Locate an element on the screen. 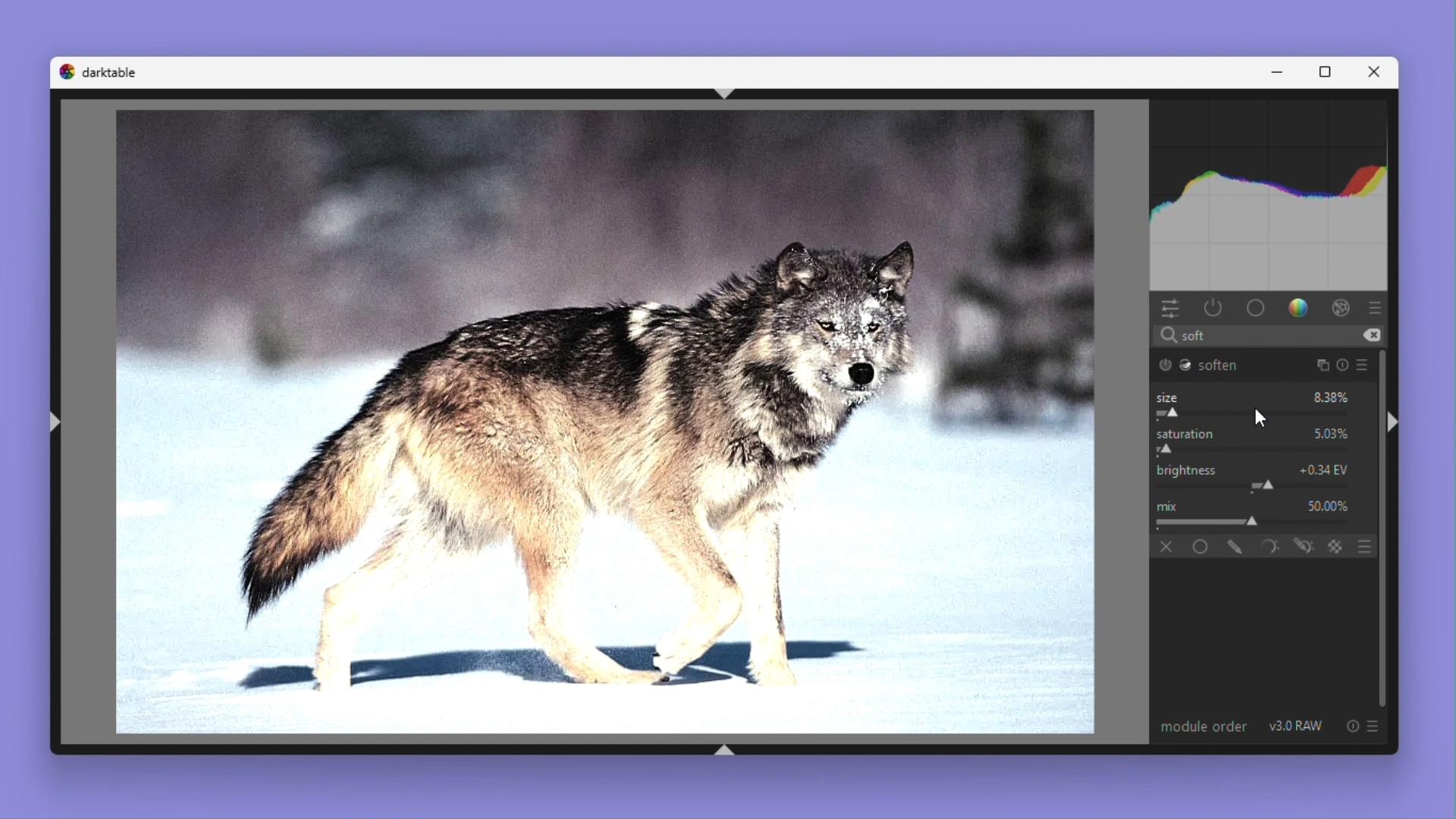 This screenshot has width=1456, height=819. Value  is located at coordinates (1332, 433).